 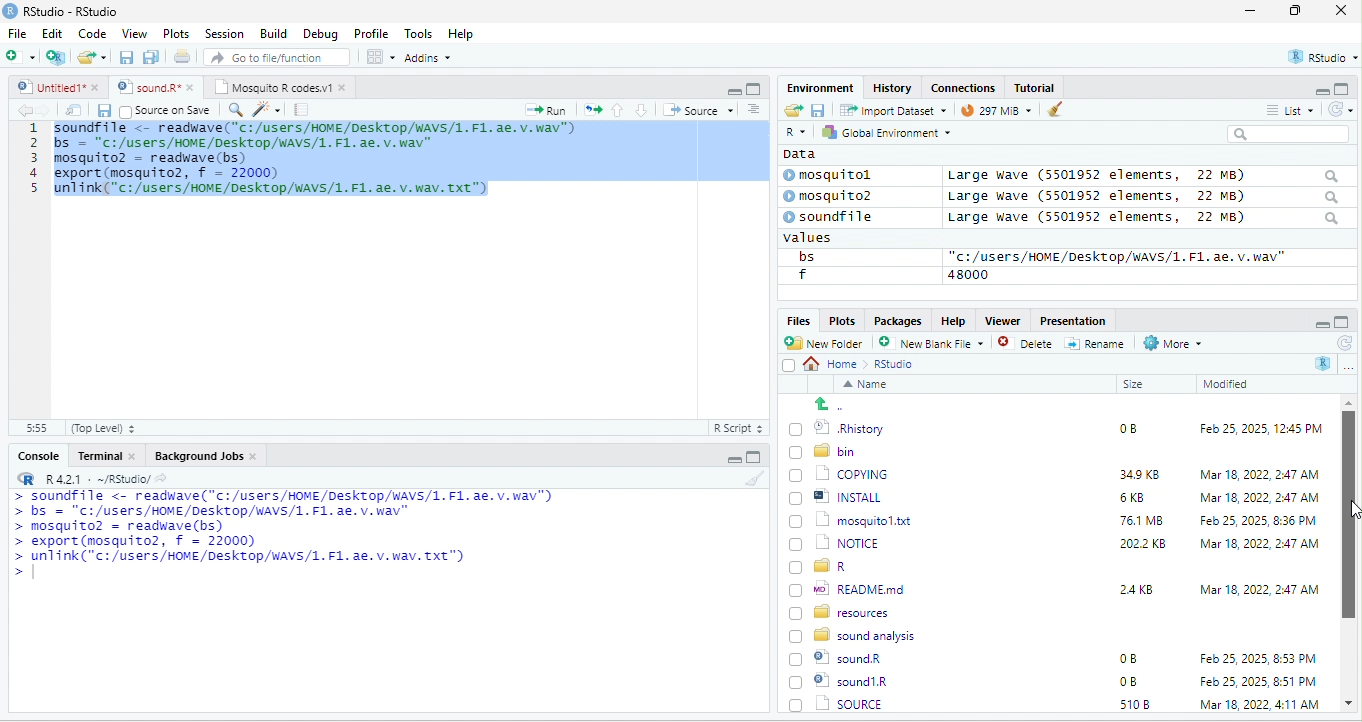 I want to click on Background Jobs, so click(x=205, y=455).